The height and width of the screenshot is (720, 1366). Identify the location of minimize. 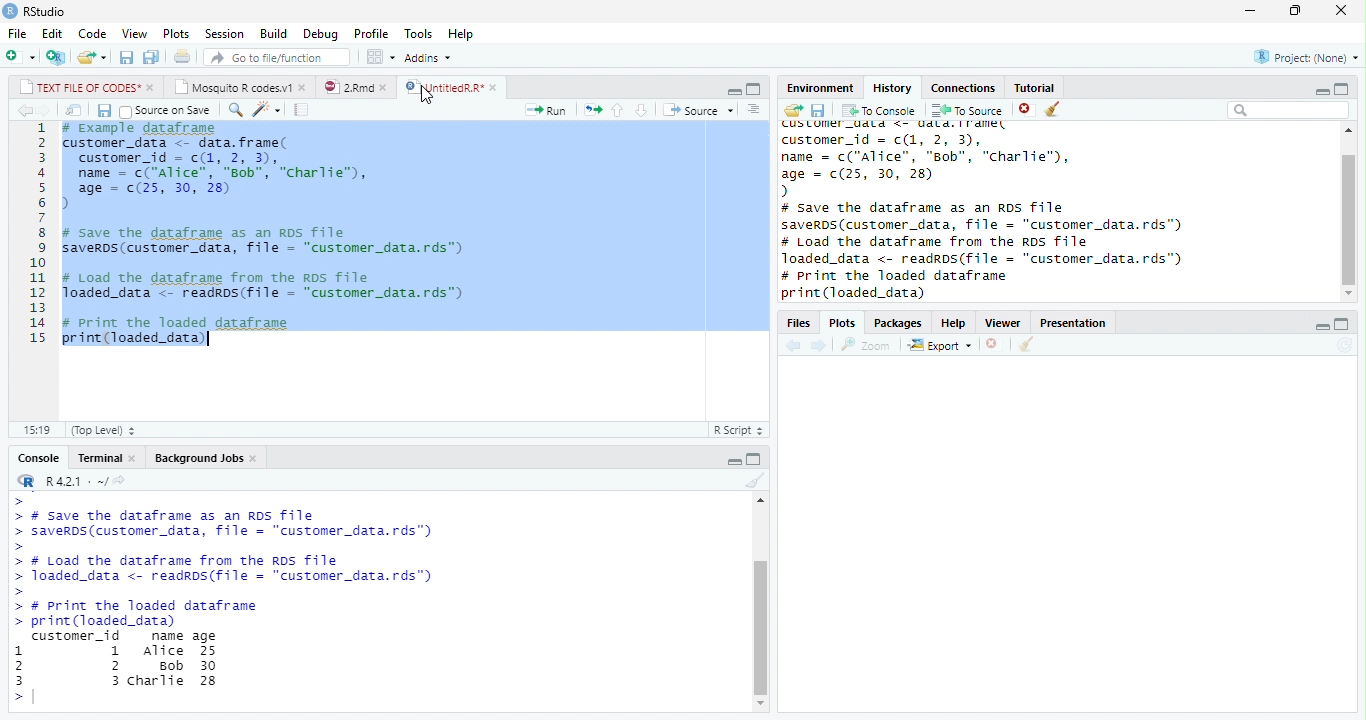
(1323, 327).